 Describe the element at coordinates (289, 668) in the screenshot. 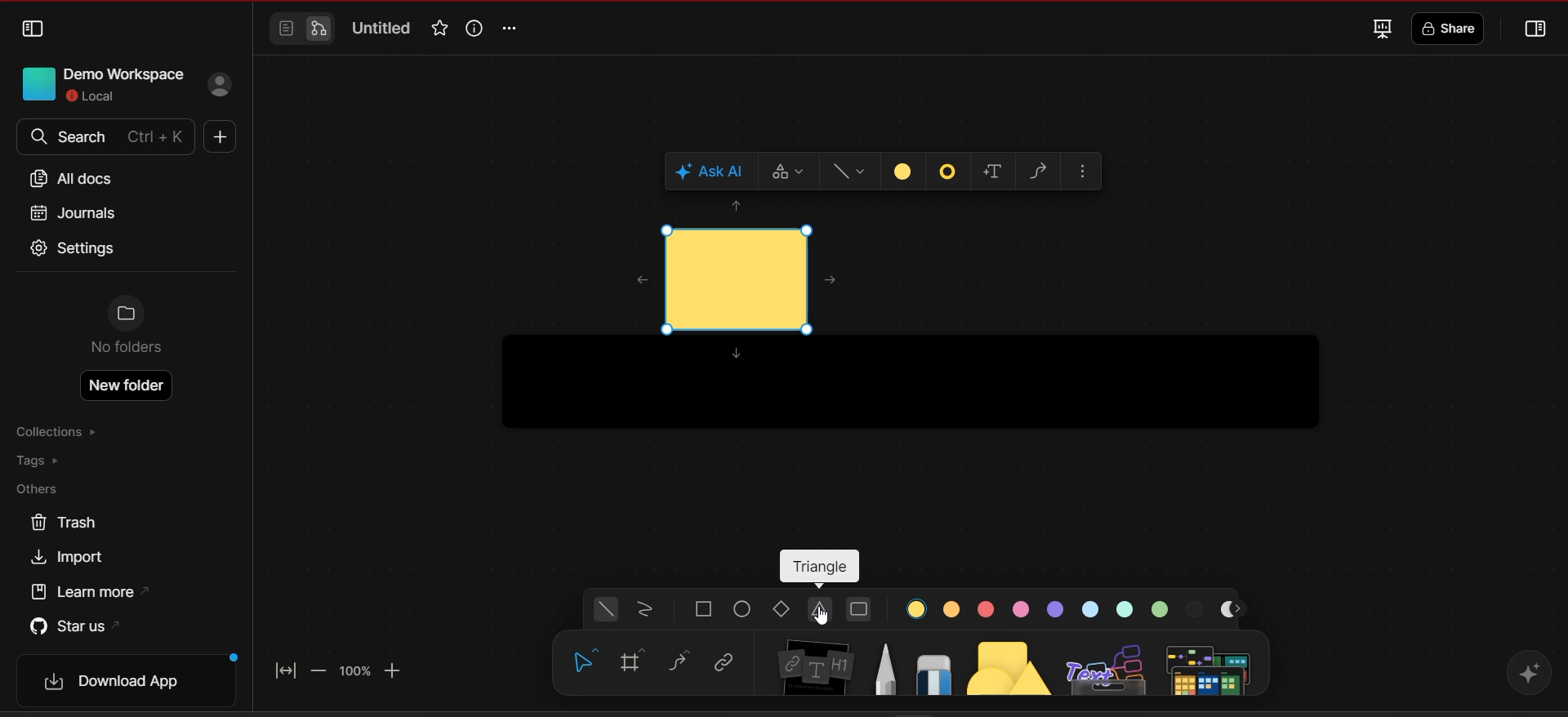

I see `fit to screen` at that location.